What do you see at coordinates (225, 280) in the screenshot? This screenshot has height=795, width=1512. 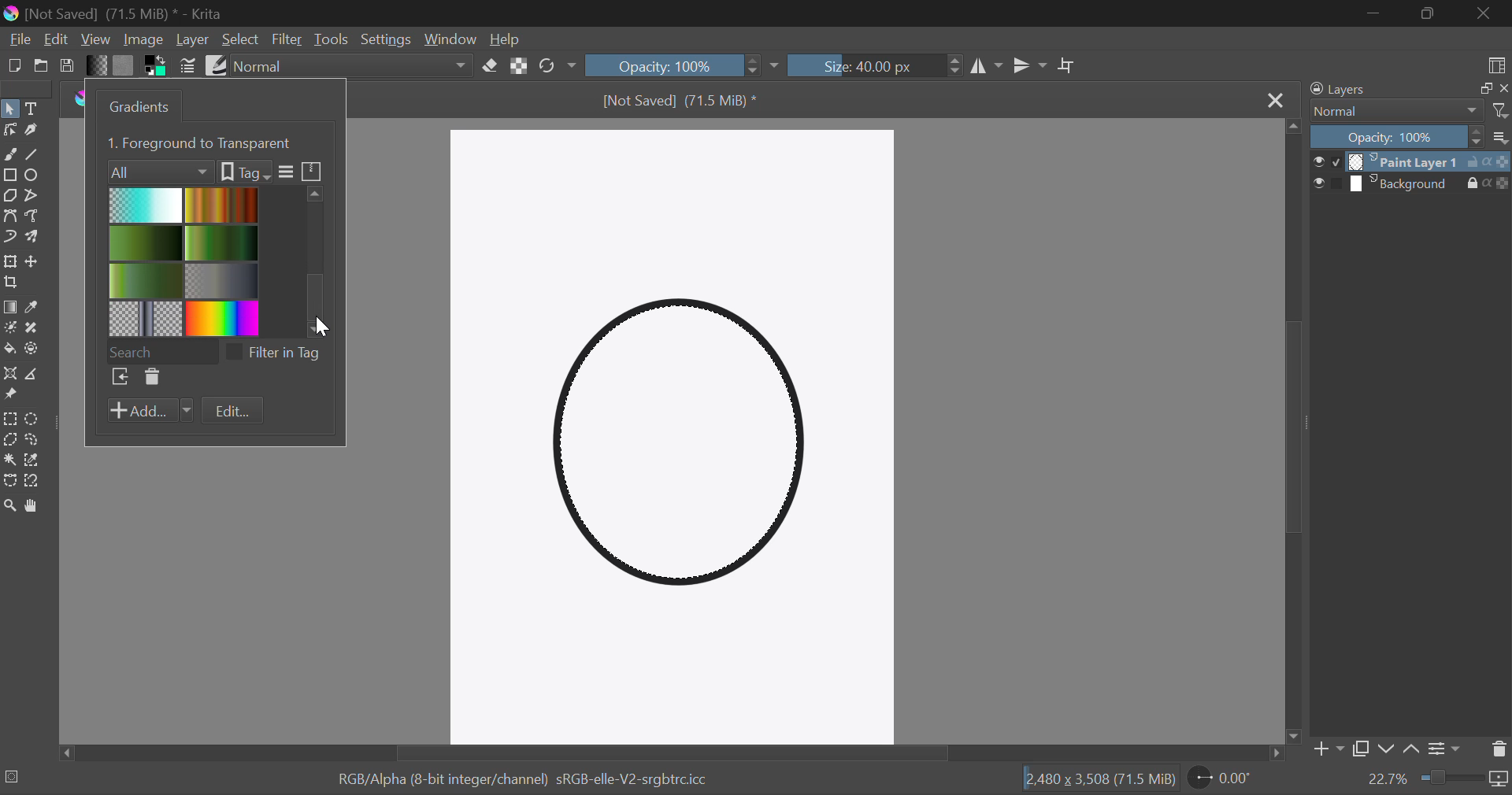 I see `Metallic Gradient` at bounding box center [225, 280].